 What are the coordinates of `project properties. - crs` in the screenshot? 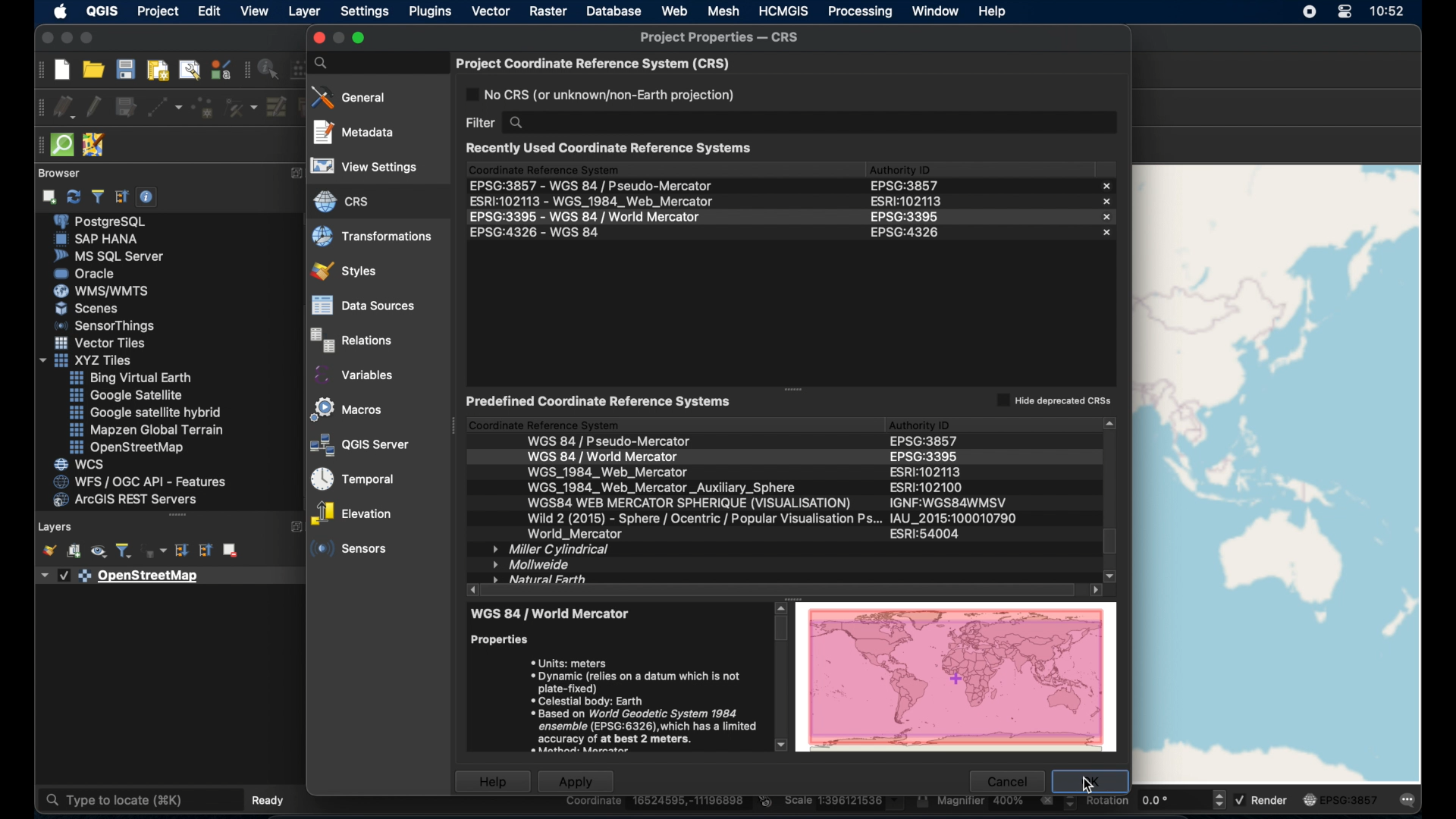 It's located at (724, 35).